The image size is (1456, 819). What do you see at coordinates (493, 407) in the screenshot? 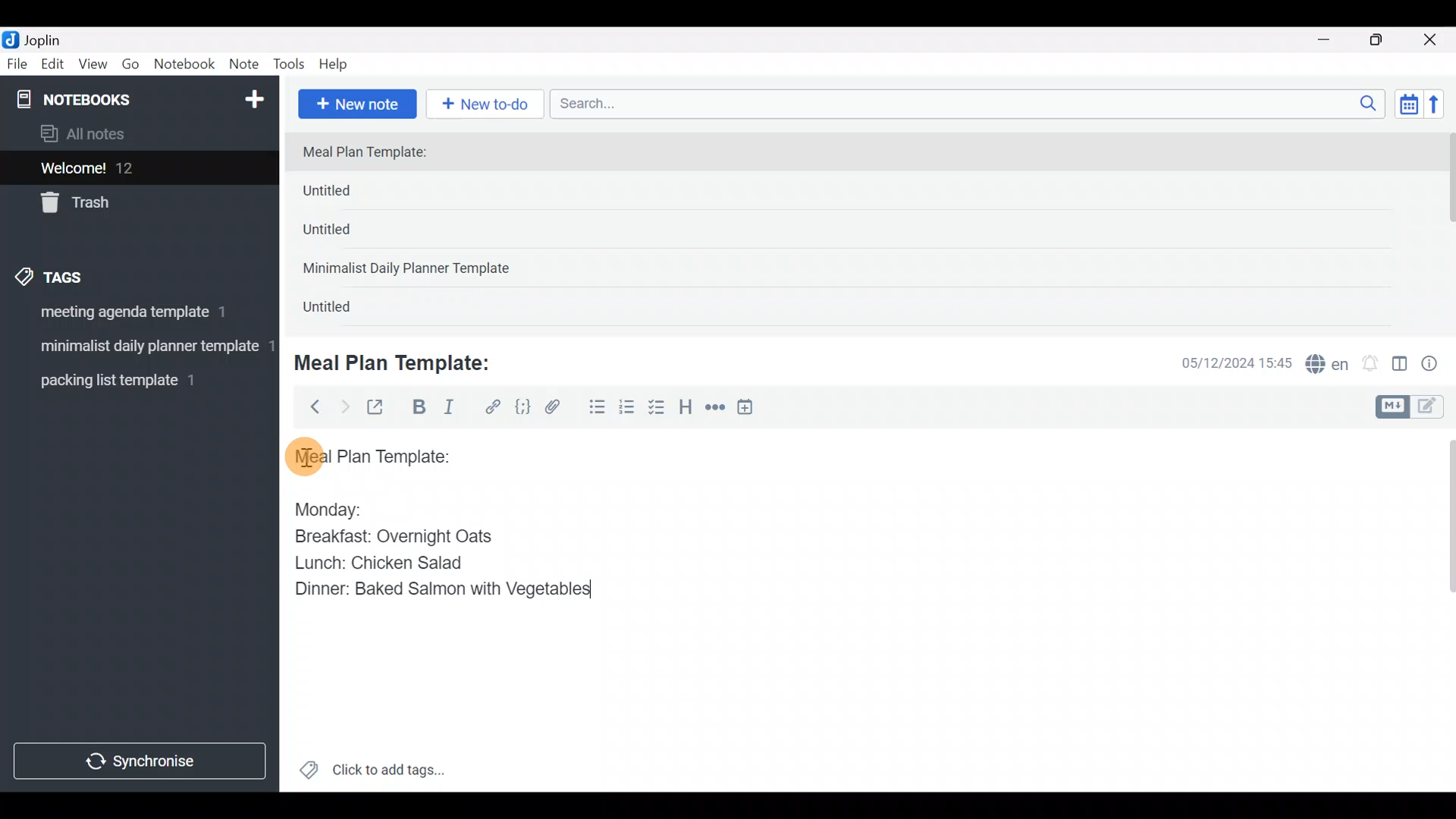
I see `Hyperlink` at bounding box center [493, 407].